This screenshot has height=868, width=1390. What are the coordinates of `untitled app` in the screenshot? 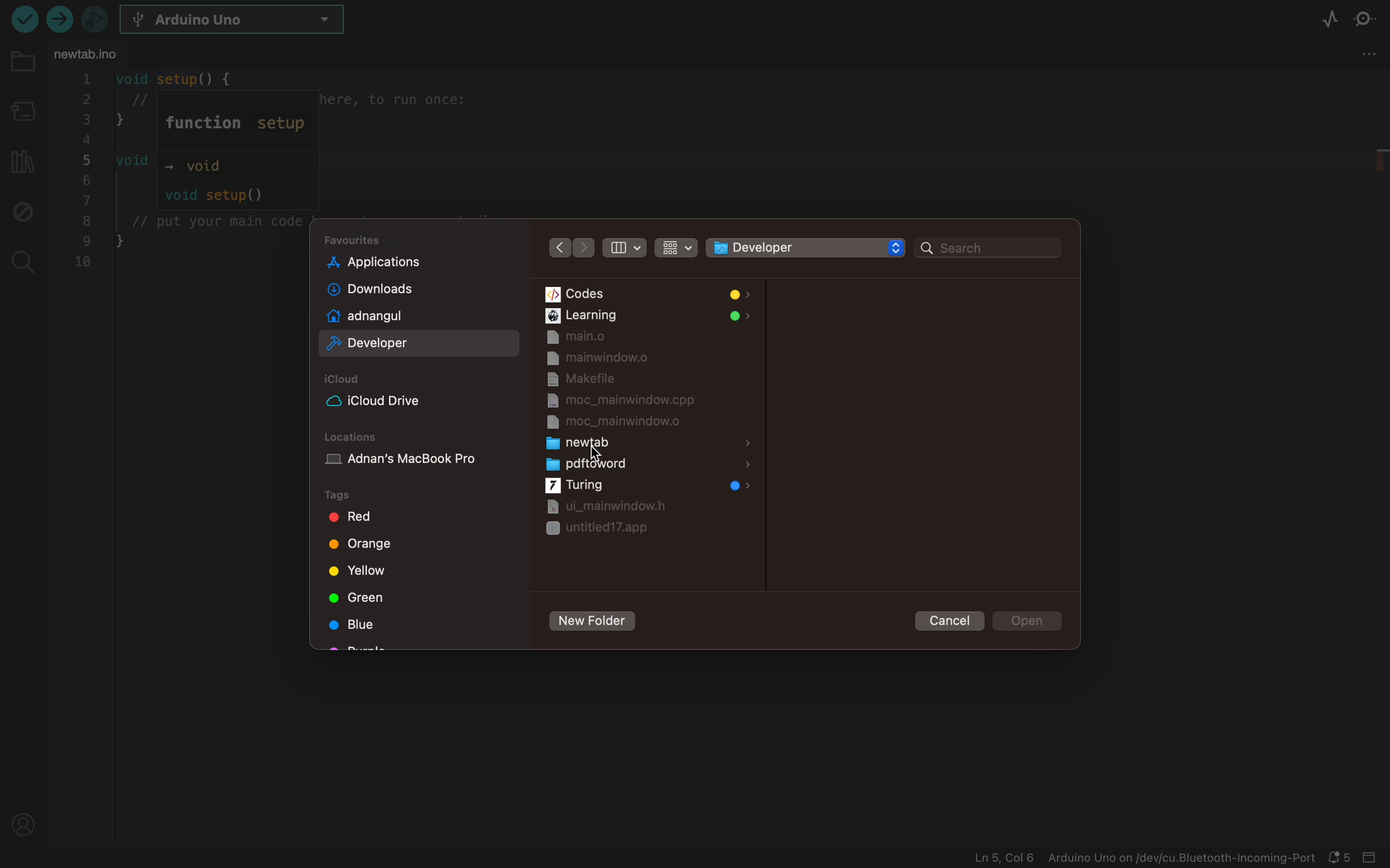 It's located at (599, 529).